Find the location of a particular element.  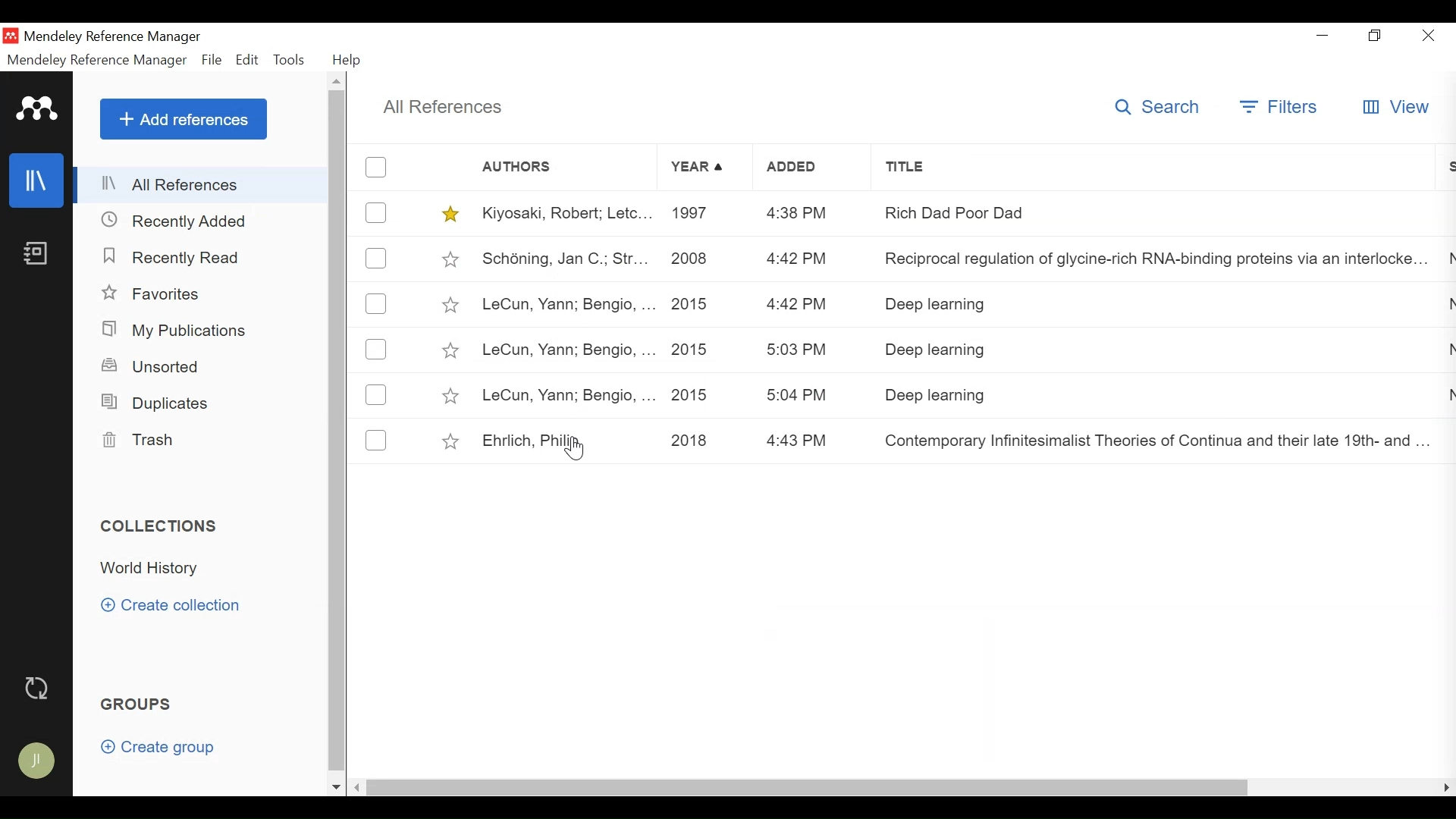

Recently Added is located at coordinates (175, 256).